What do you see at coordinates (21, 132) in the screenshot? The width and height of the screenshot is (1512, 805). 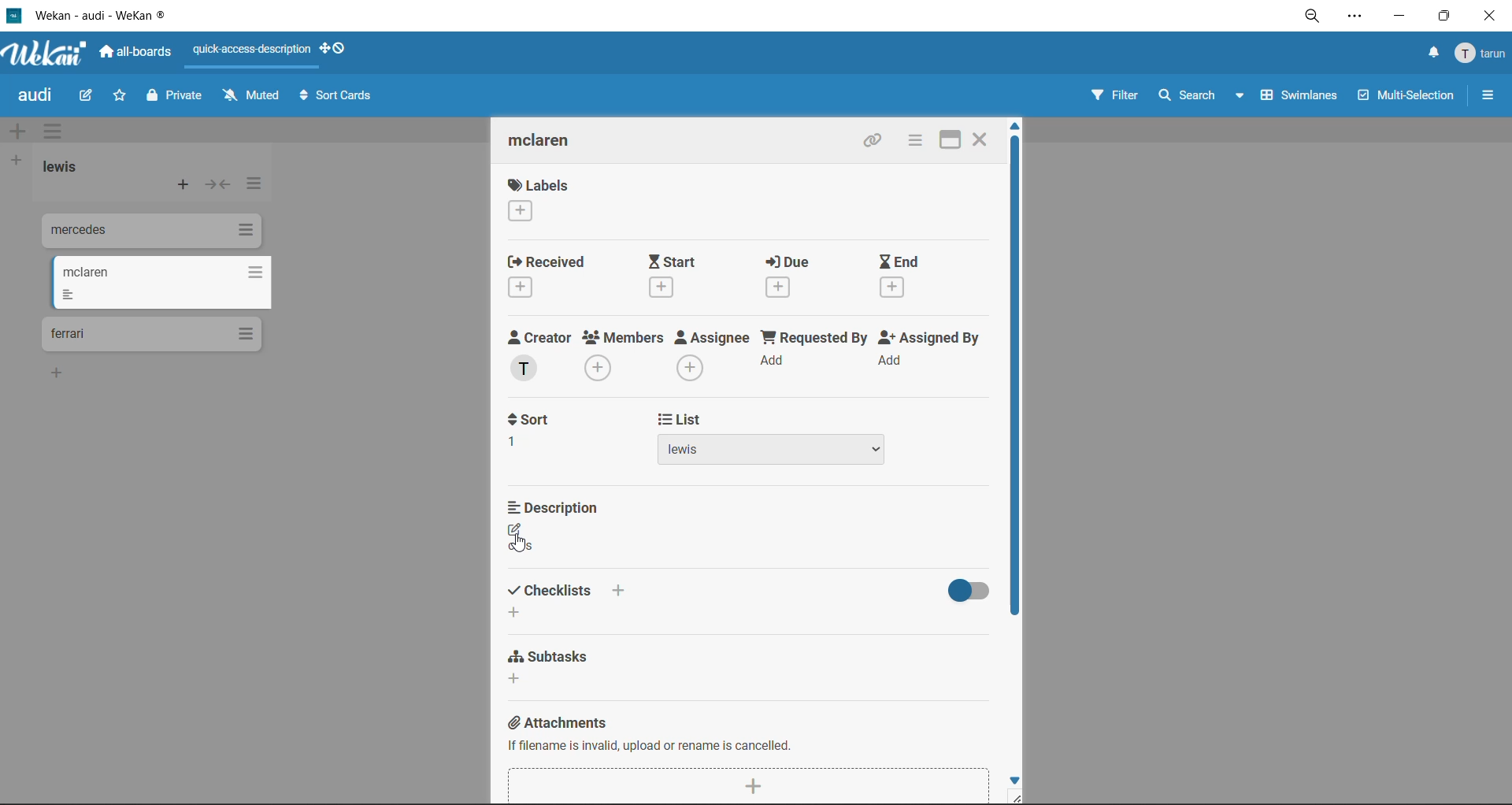 I see `add swimlane` at bounding box center [21, 132].